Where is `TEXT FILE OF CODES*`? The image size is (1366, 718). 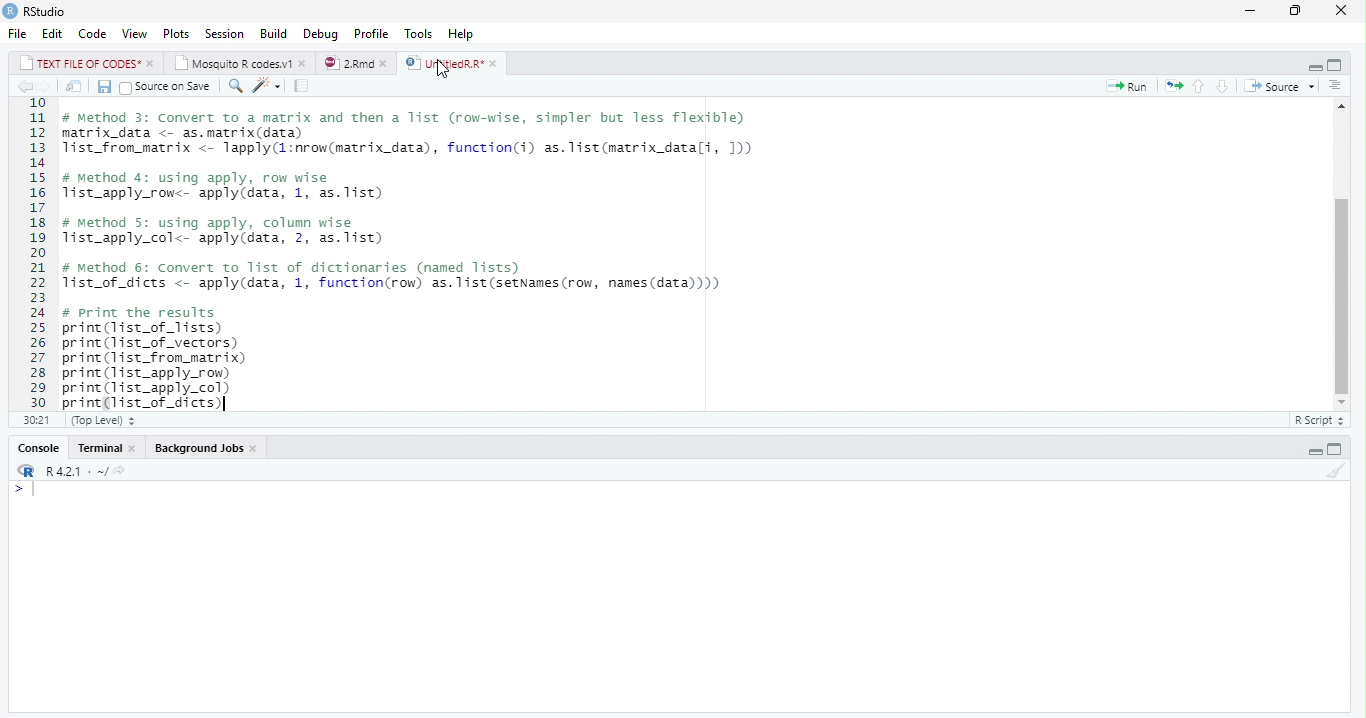
TEXT FILE OF CODES* is located at coordinates (86, 63).